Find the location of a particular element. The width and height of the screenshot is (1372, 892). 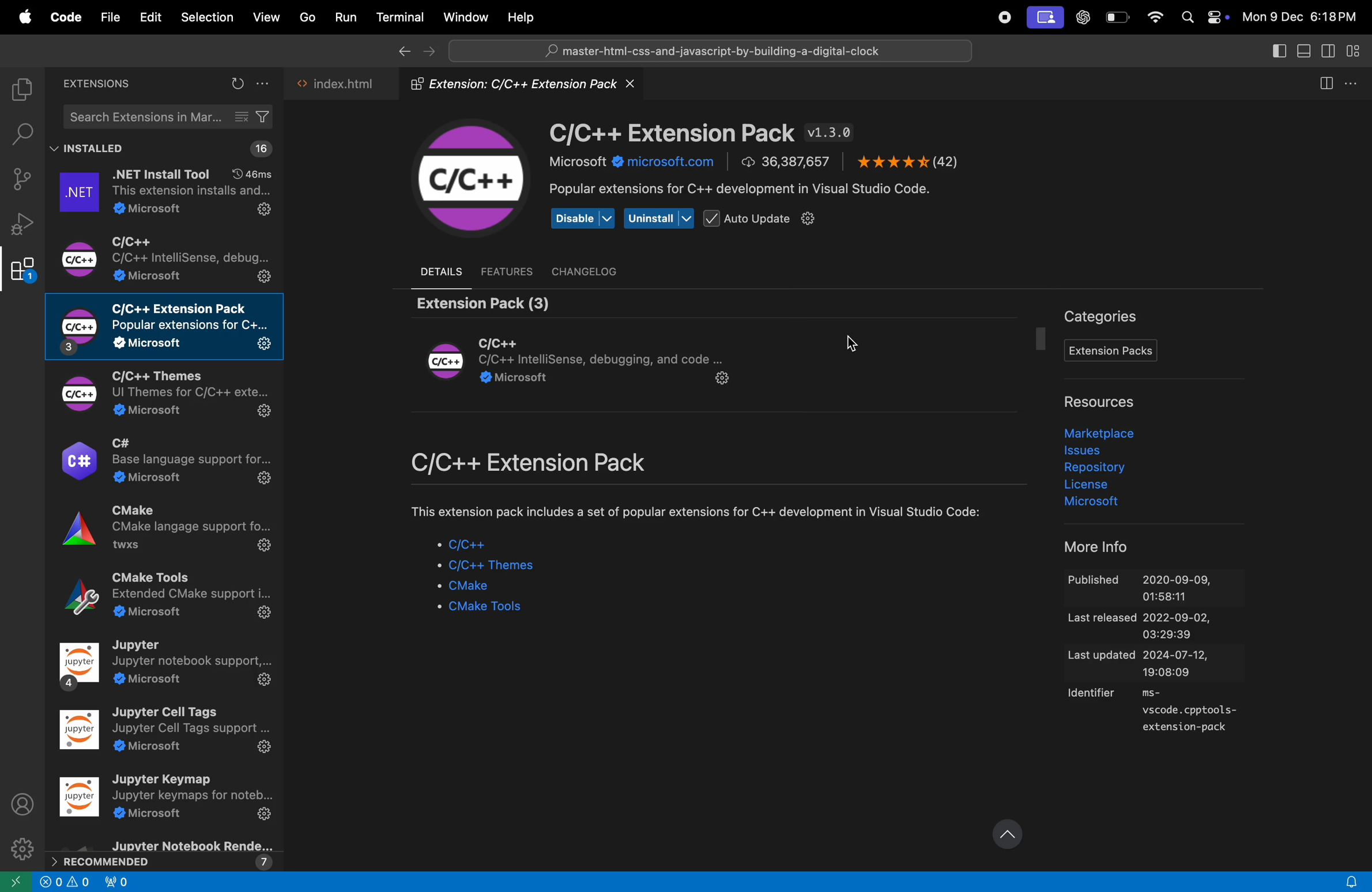

more info is located at coordinates (1106, 547).